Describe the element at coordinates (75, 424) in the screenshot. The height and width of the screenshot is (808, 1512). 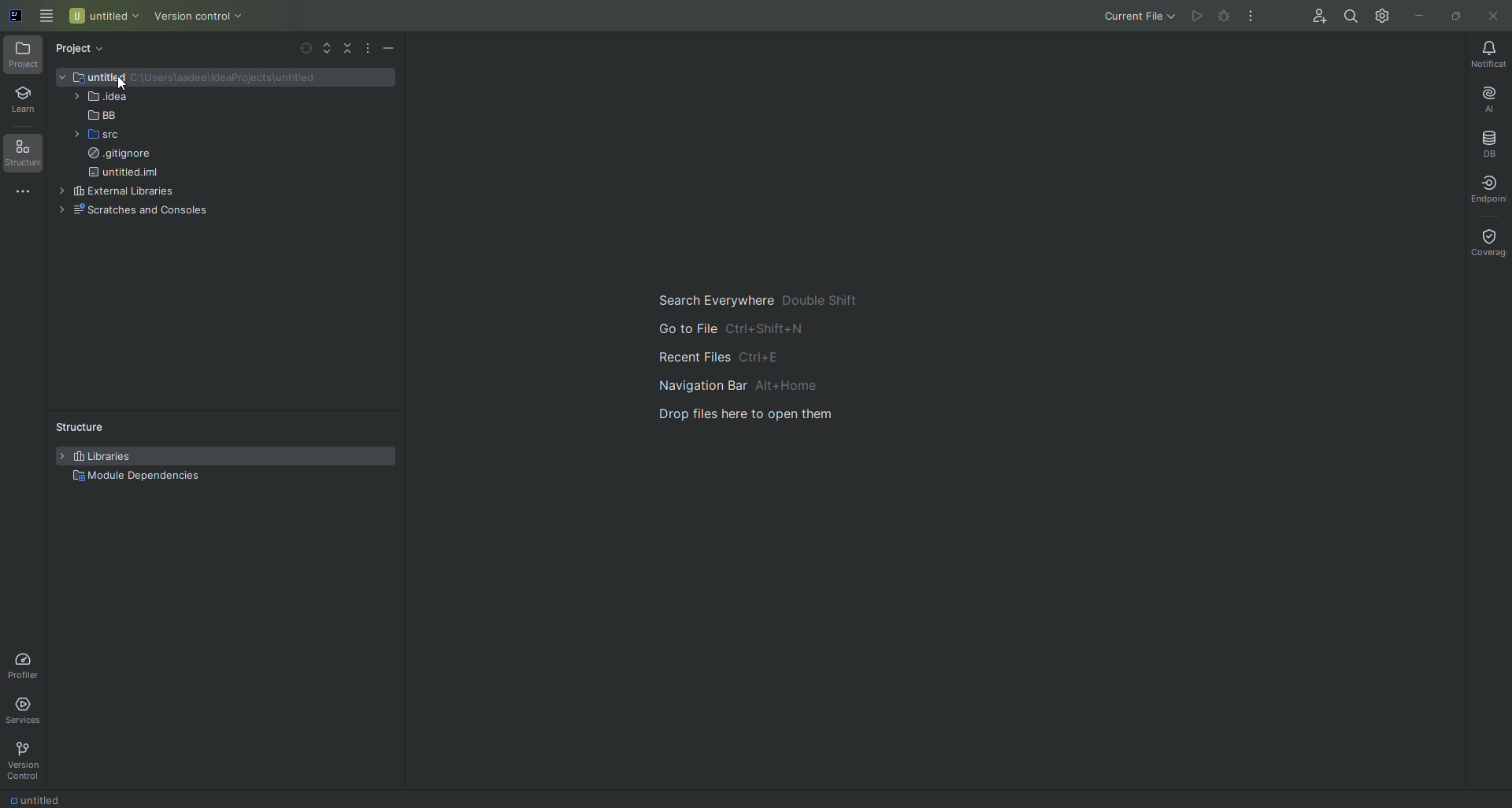
I see `Structure` at that location.